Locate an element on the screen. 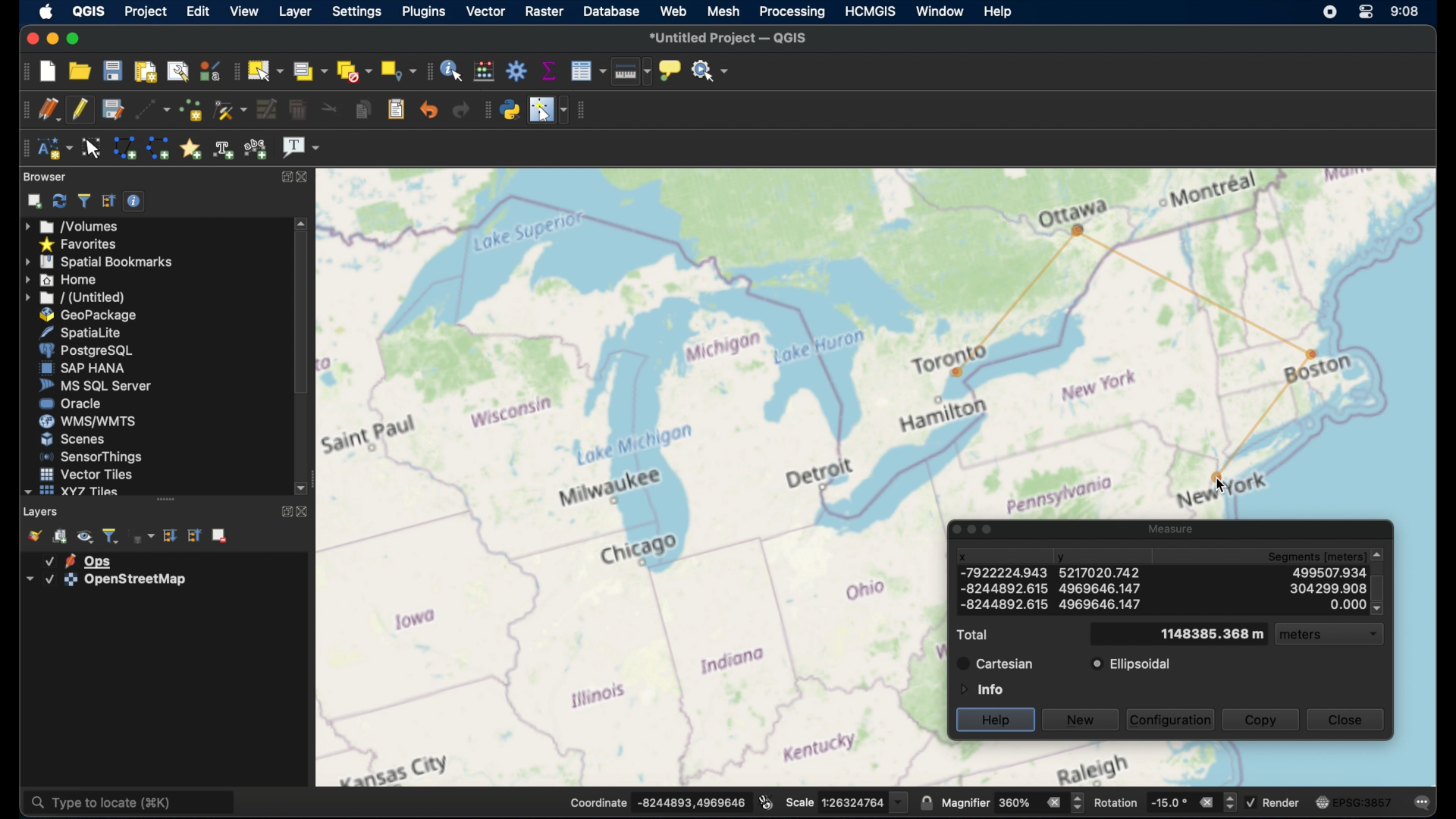  layer is located at coordinates (102, 580).